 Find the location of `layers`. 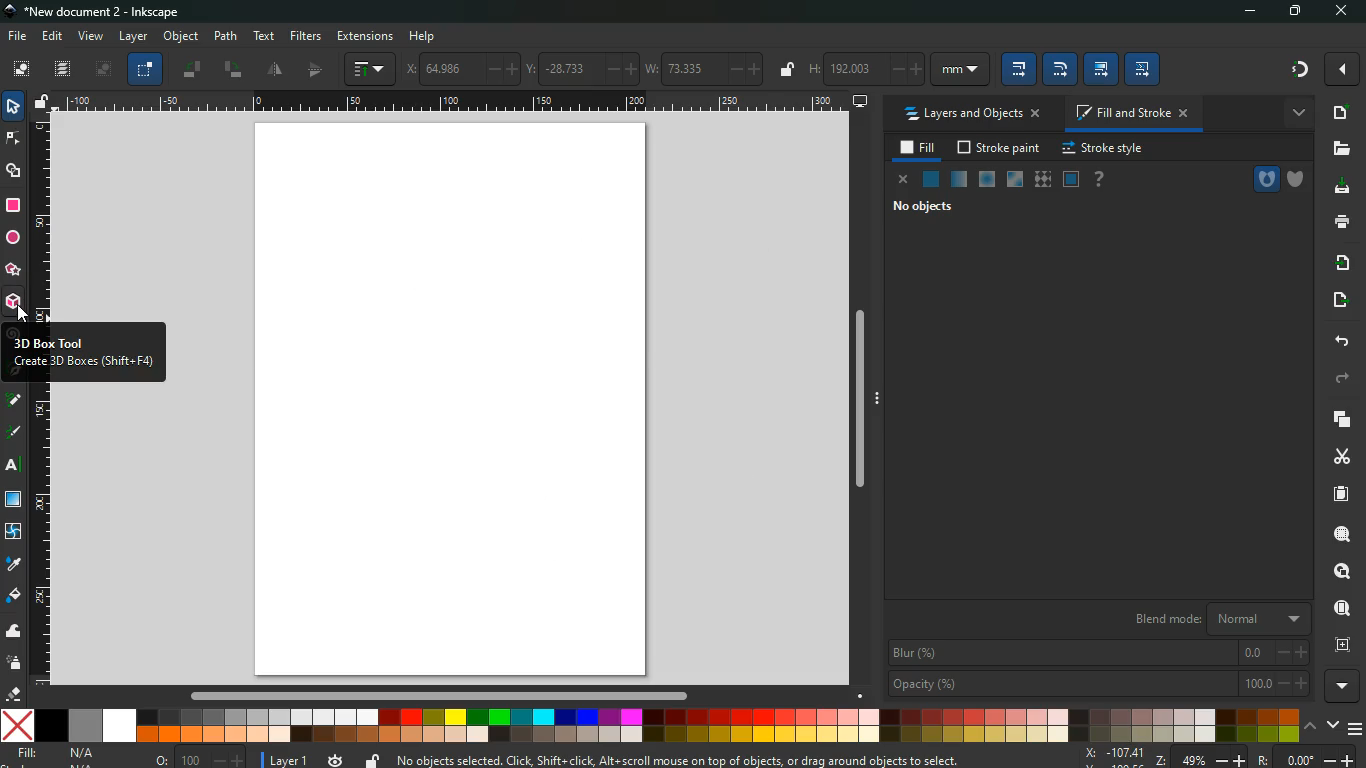

layers is located at coordinates (1336, 418).